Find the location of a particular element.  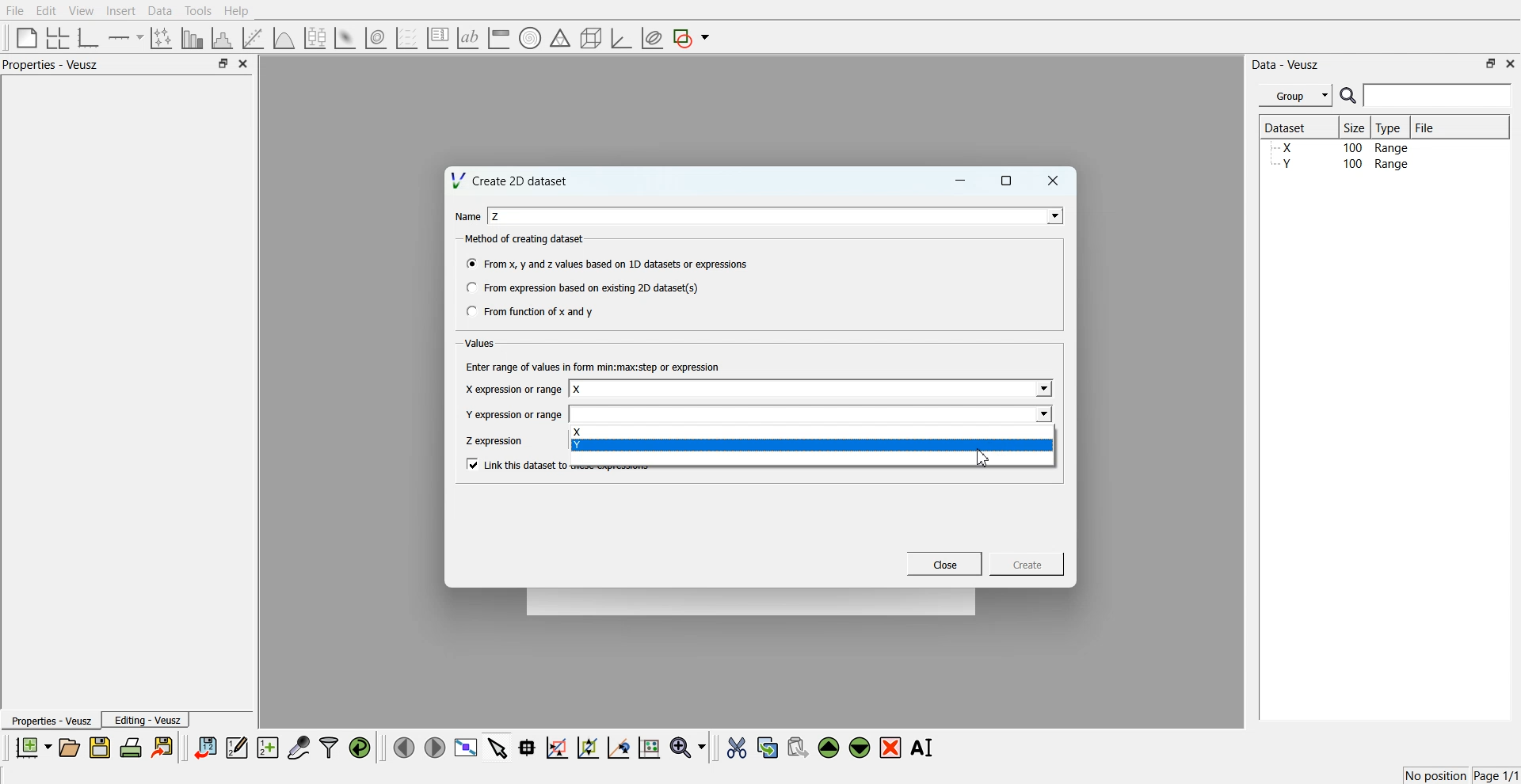

Blank page is located at coordinates (27, 37).